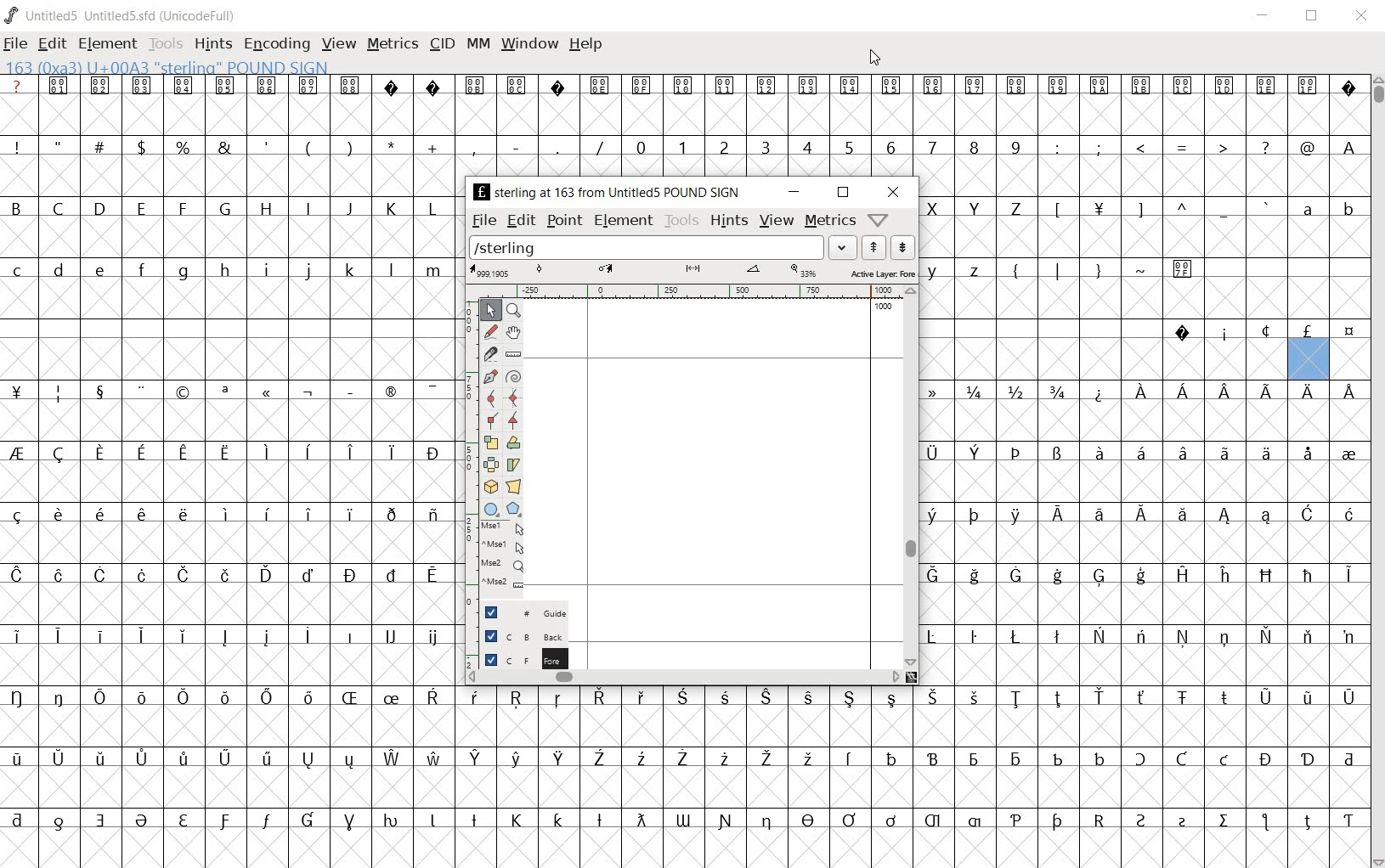 This screenshot has width=1385, height=868. What do you see at coordinates (1139, 516) in the screenshot?
I see `Symbol` at bounding box center [1139, 516].